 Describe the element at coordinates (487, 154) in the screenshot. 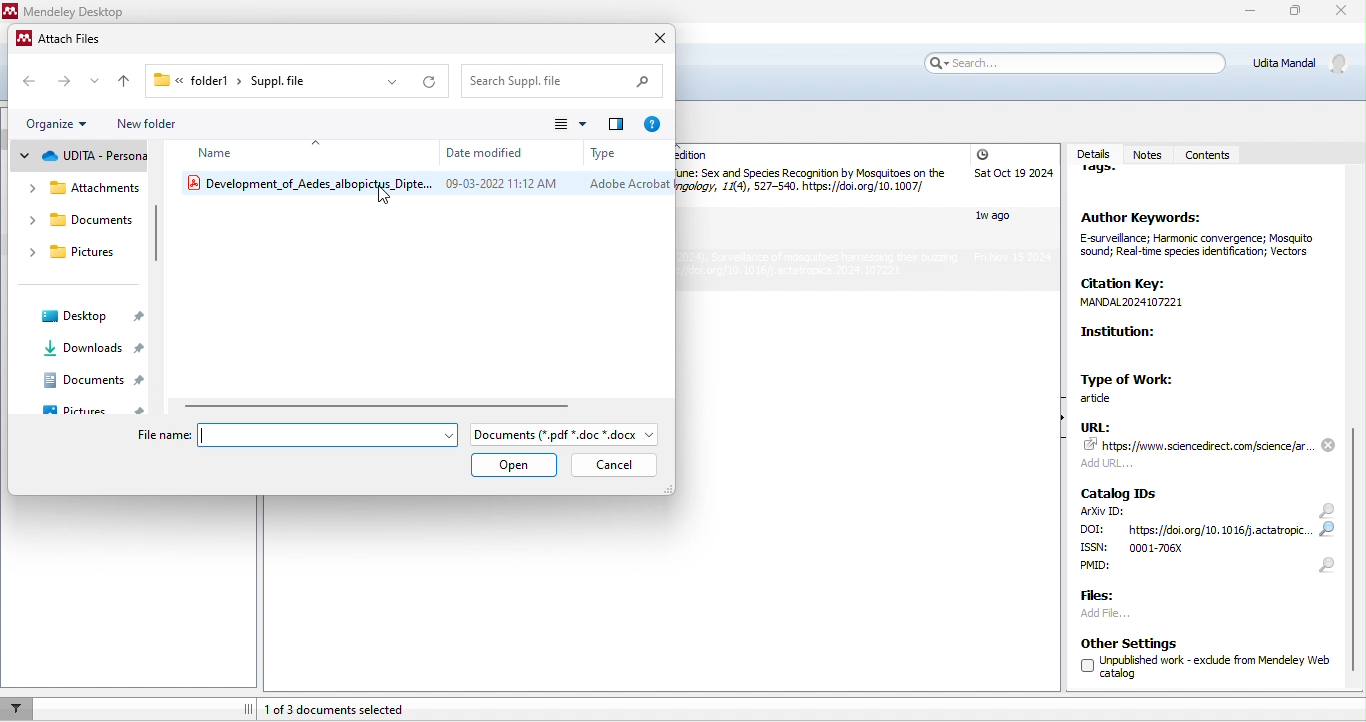

I see `date modified` at that location.